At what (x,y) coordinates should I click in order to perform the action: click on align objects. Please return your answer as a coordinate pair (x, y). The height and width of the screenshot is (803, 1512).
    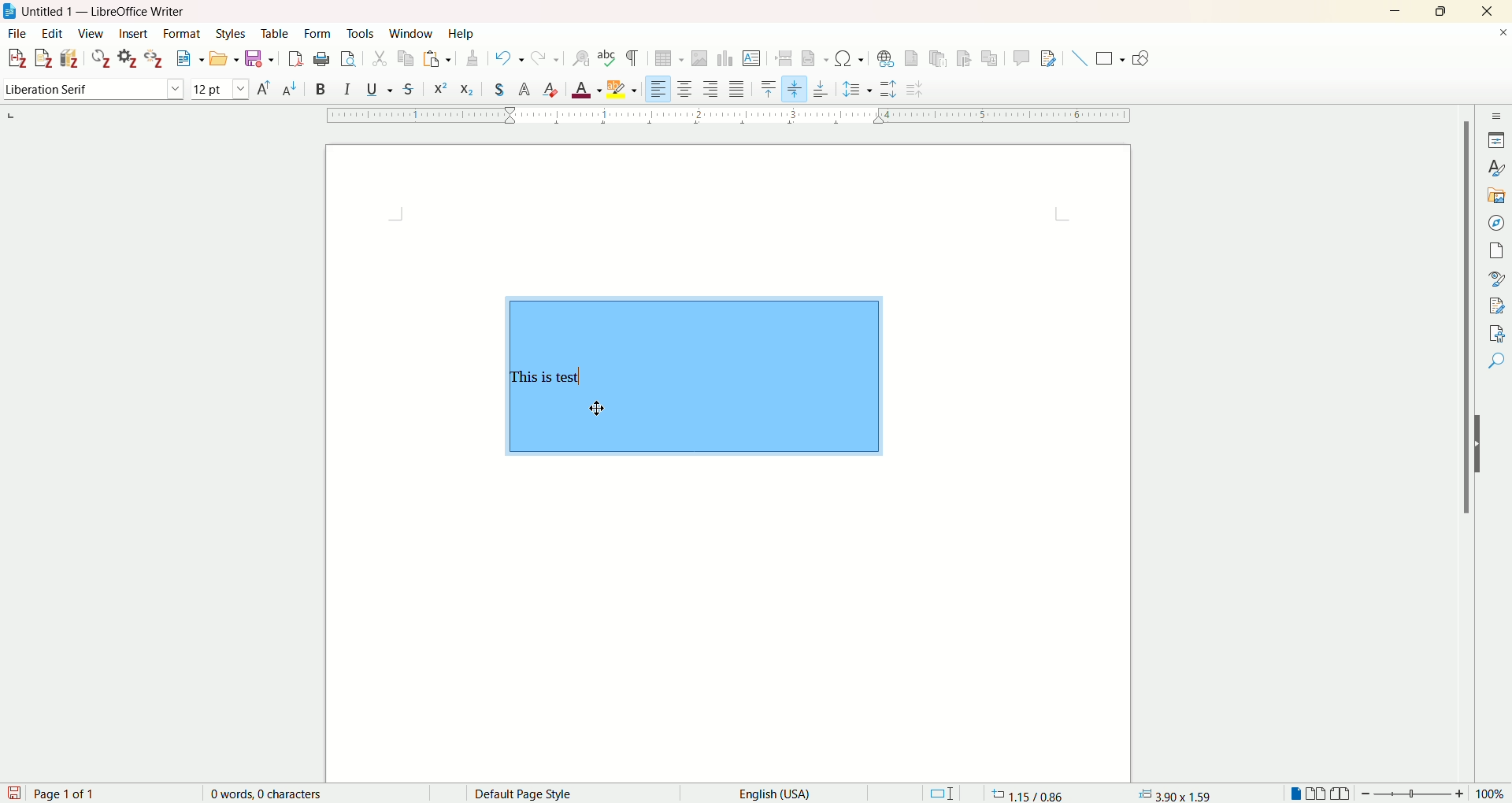
    Looking at the image, I should click on (224, 91).